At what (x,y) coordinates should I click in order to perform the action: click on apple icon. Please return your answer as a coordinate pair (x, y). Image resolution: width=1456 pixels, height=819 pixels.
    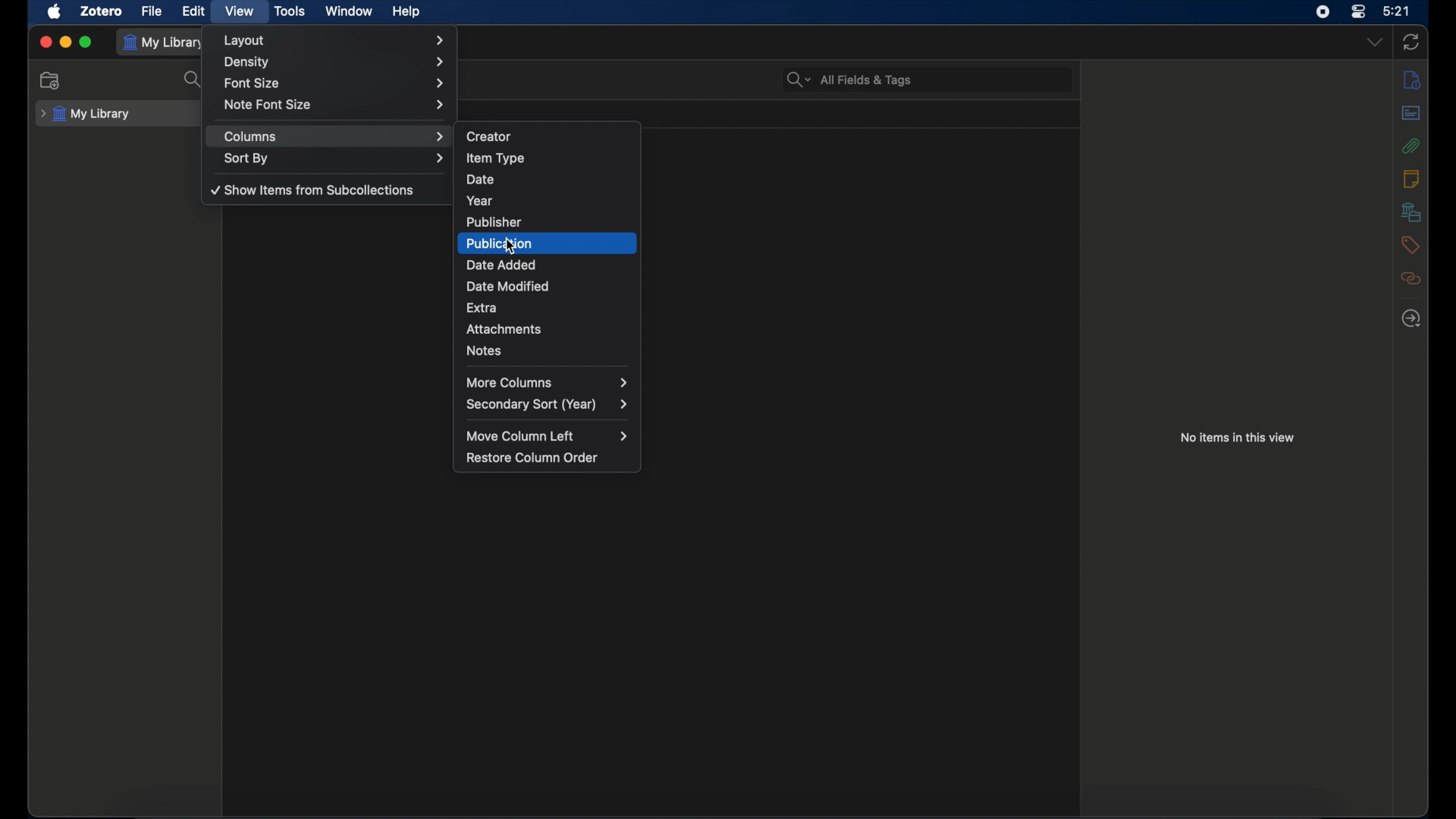
    Looking at the image, I should click on (54, 11).